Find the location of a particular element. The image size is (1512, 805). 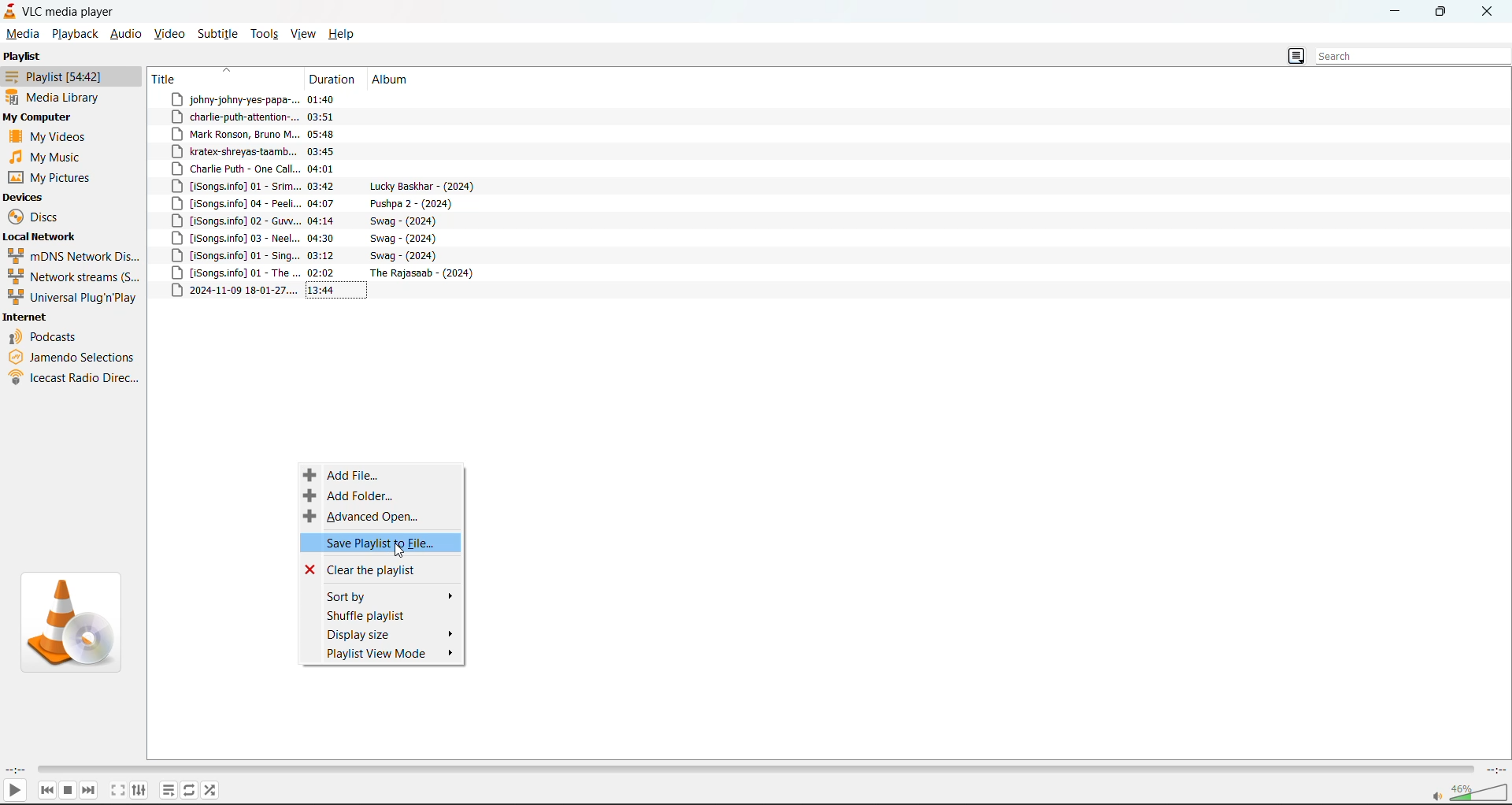

track 7 title, duration and album details is located at coordinates (315, 203).